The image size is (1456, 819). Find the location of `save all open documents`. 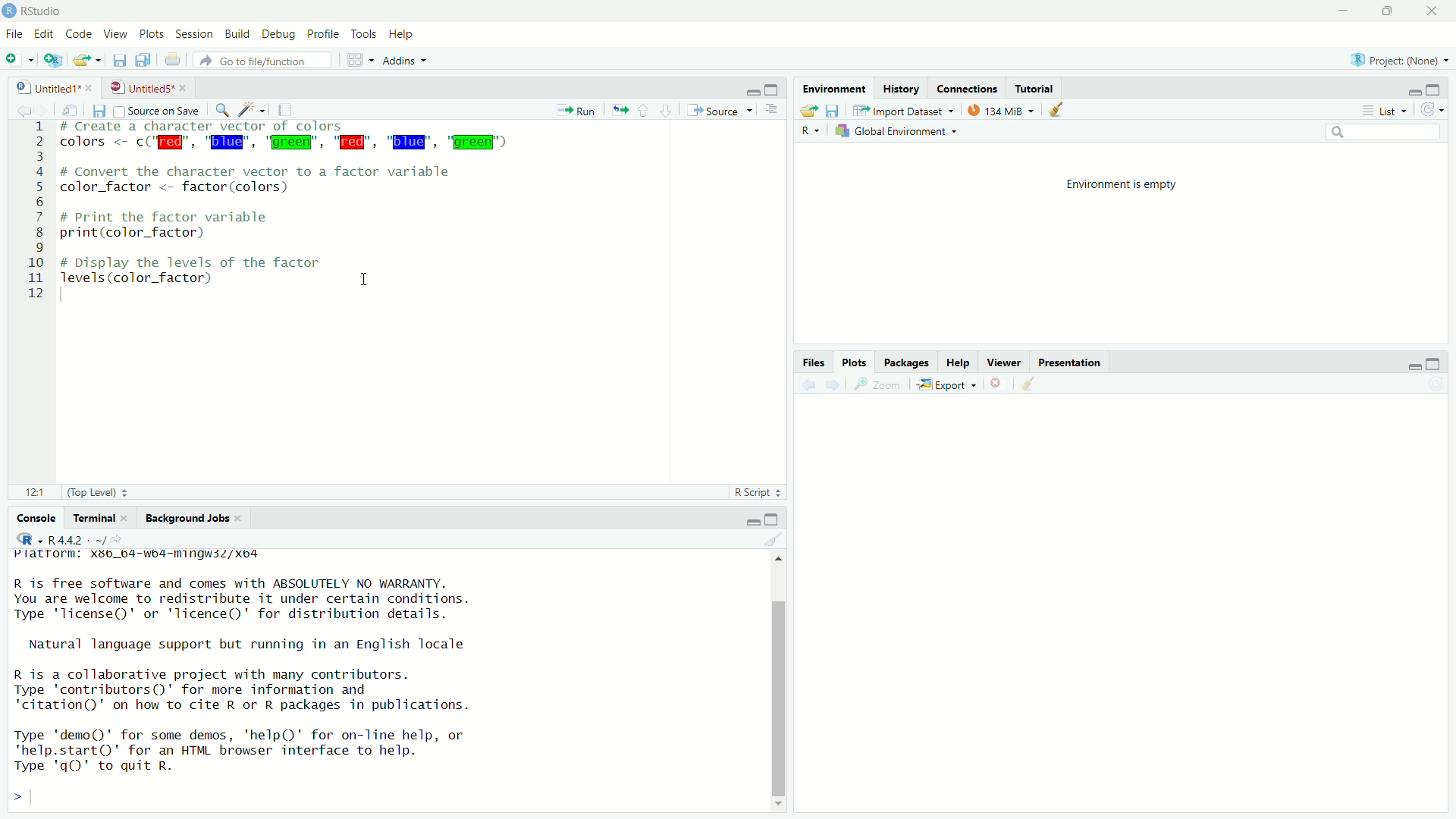

save all open documents is located at coordinates (144, 61).